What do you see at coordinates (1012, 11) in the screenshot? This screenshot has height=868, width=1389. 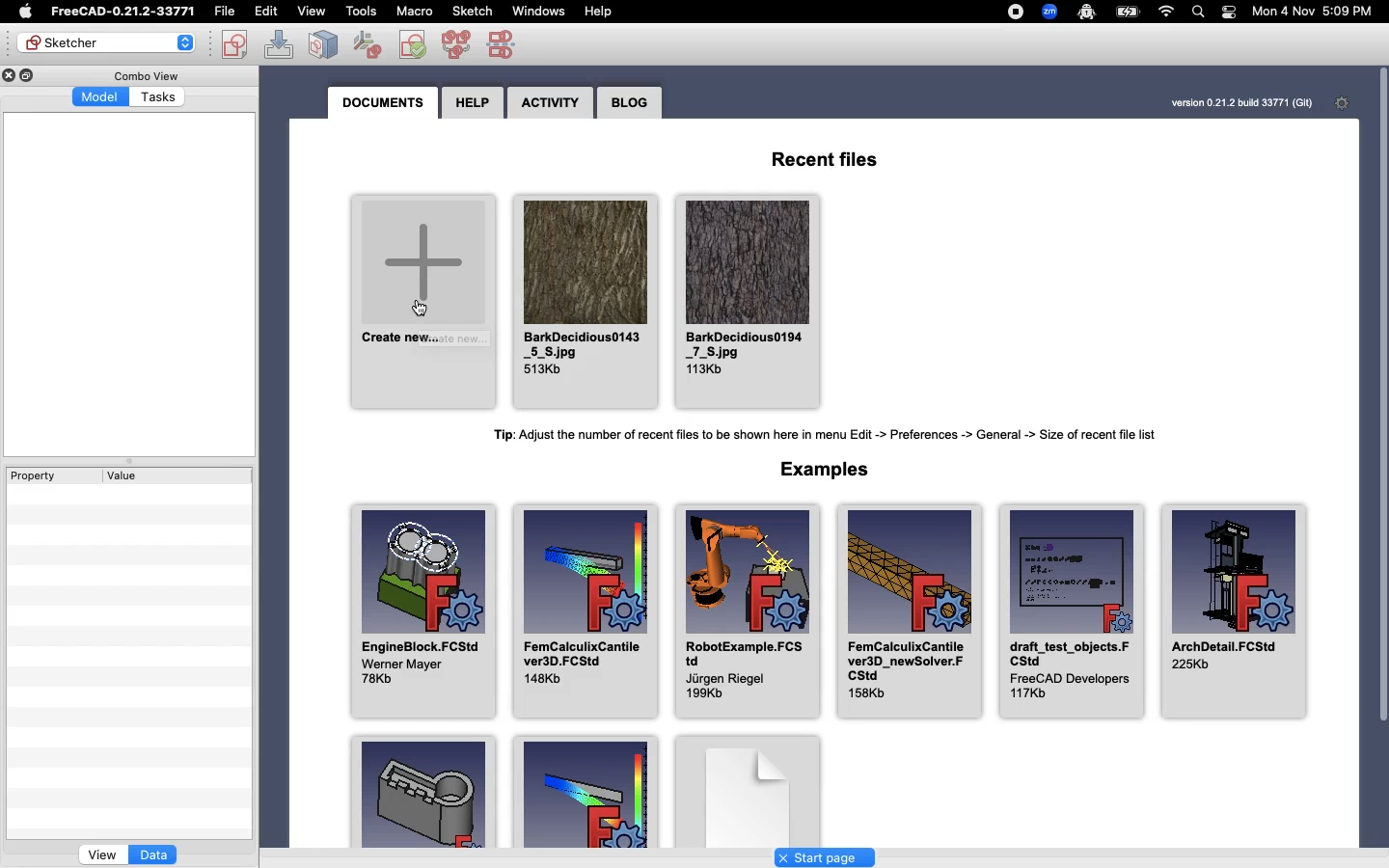 I see `Record` at bounding box center [1012, 11].